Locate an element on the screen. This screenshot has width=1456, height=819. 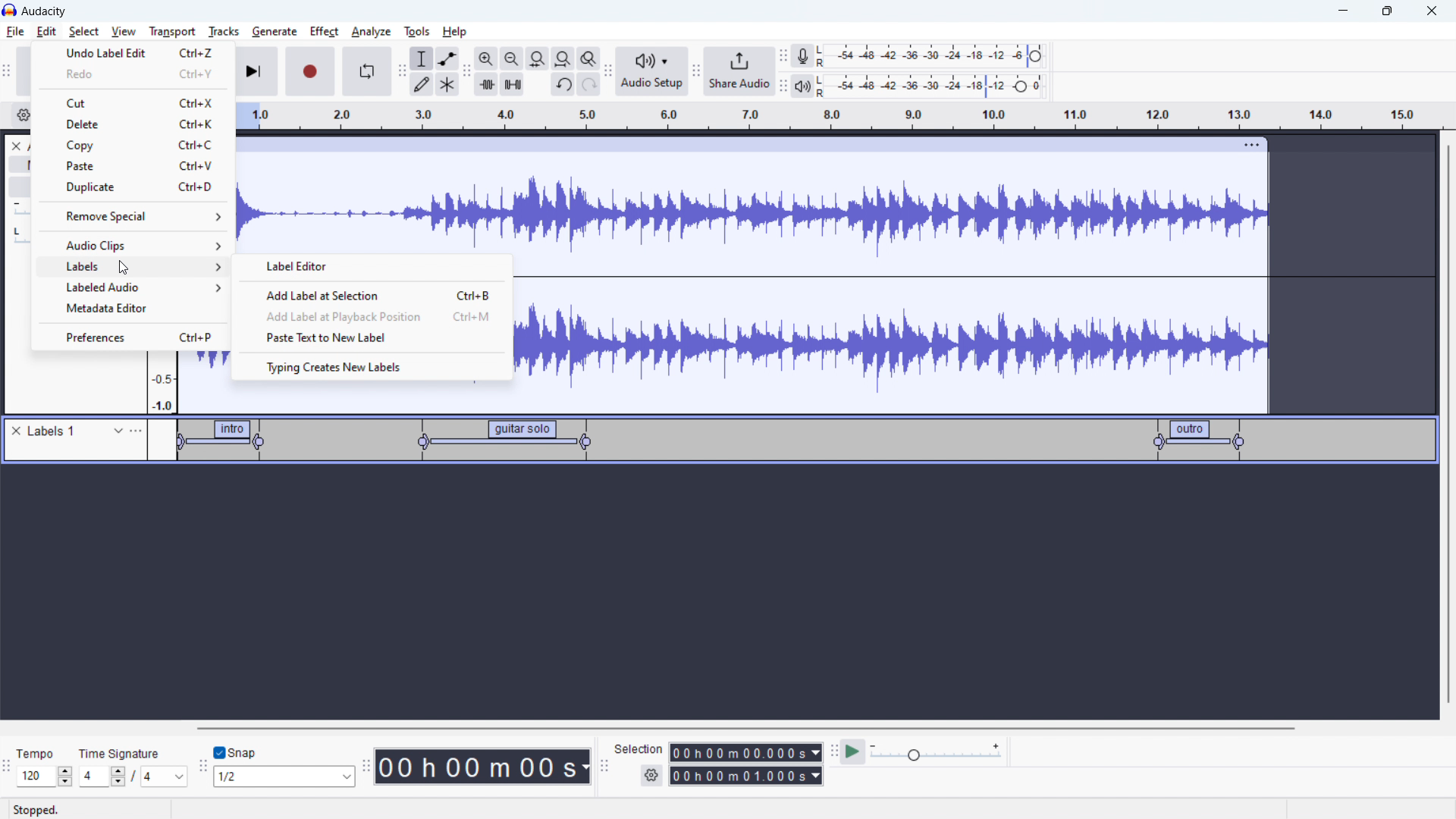
set time signature is located at coordinates (134, 776).